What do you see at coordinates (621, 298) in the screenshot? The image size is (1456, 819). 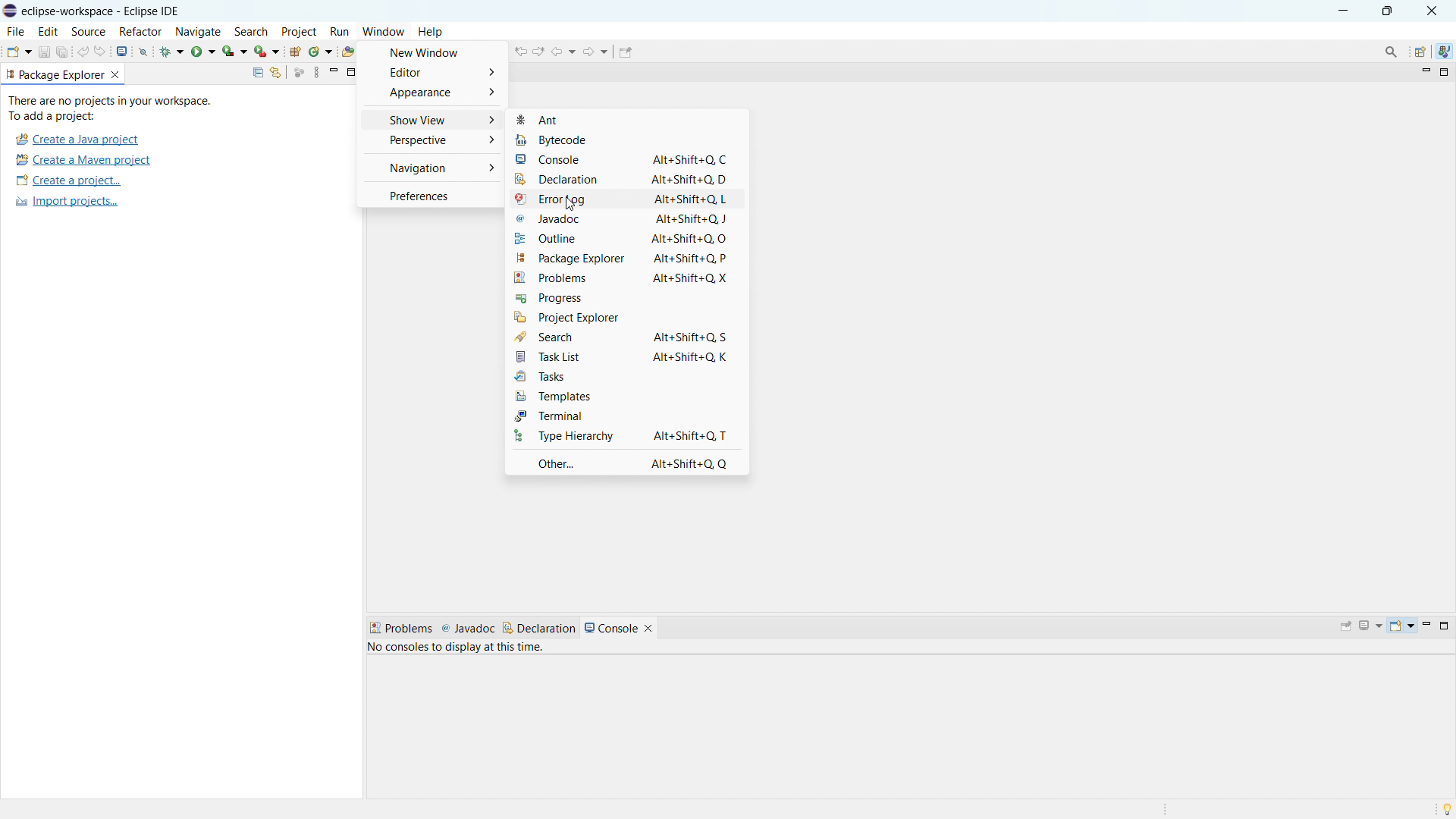 I see `Progress` at bounding box center [621, 298].